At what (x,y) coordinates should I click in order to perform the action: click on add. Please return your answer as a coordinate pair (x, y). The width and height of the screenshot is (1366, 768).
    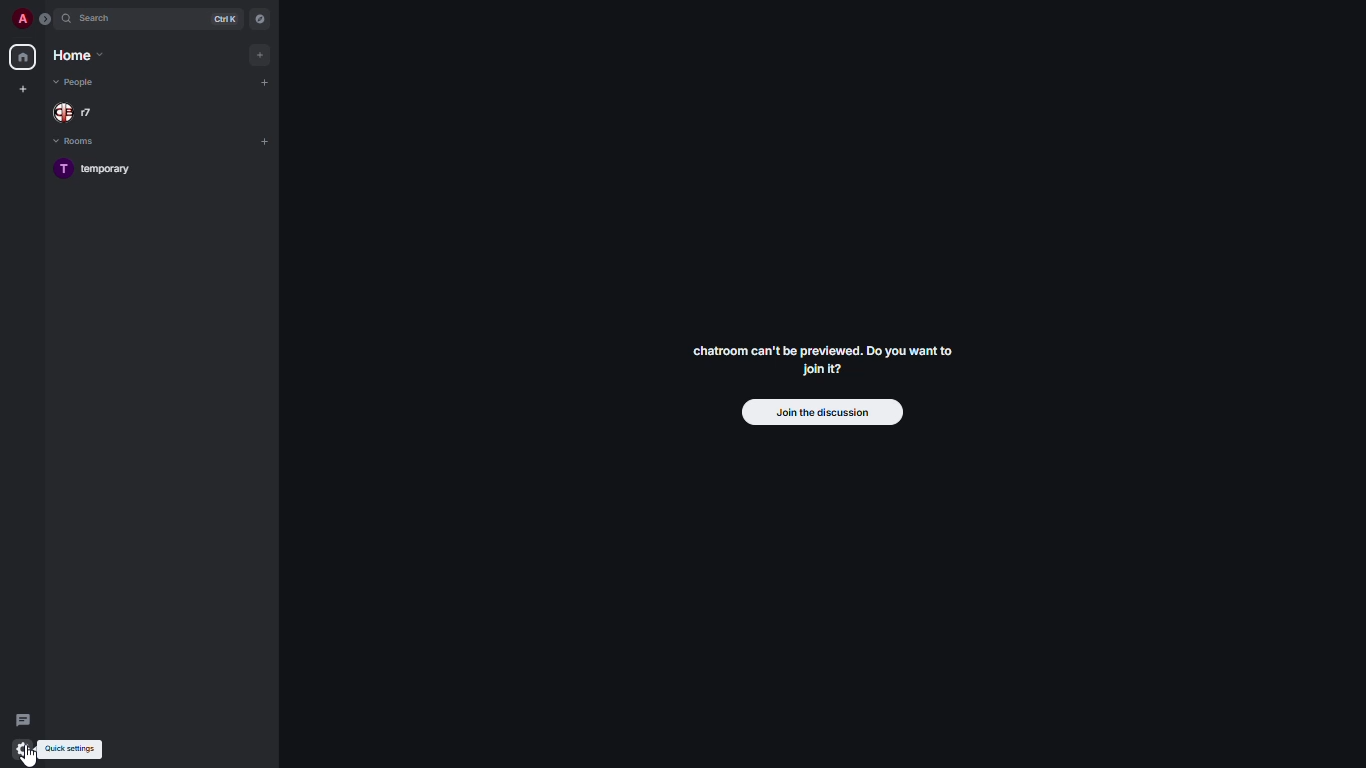
    Looking at the image, I should click on (265, 82).